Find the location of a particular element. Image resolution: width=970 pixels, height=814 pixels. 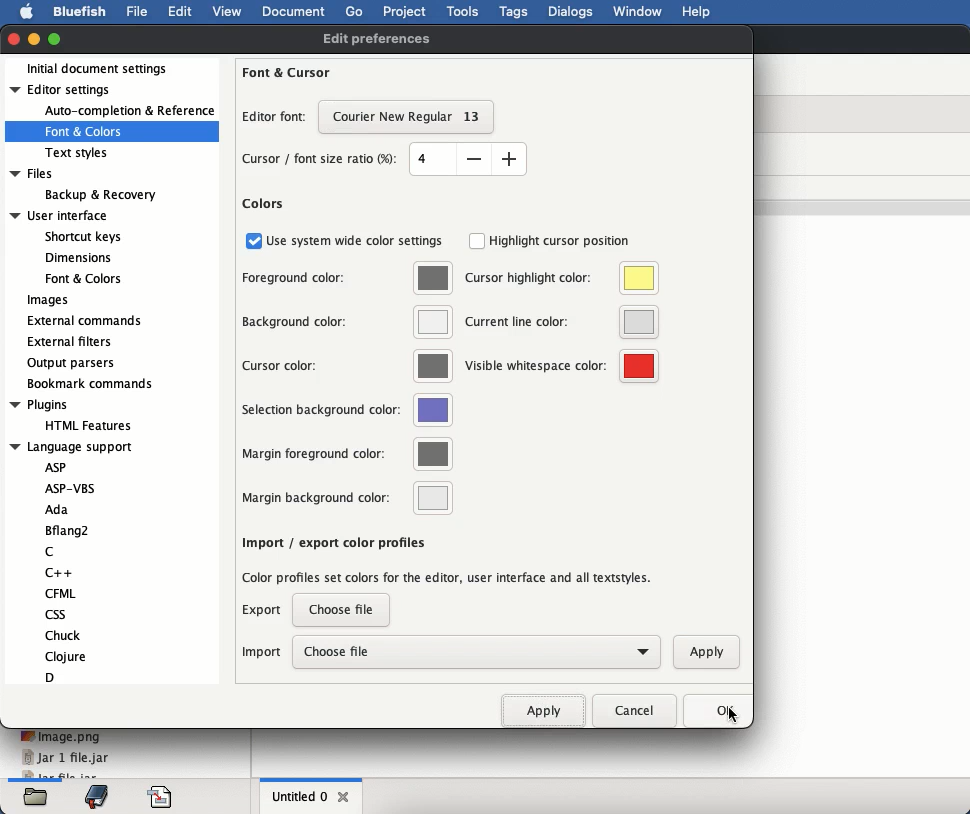

choose file is located at coordinates (344, 610).